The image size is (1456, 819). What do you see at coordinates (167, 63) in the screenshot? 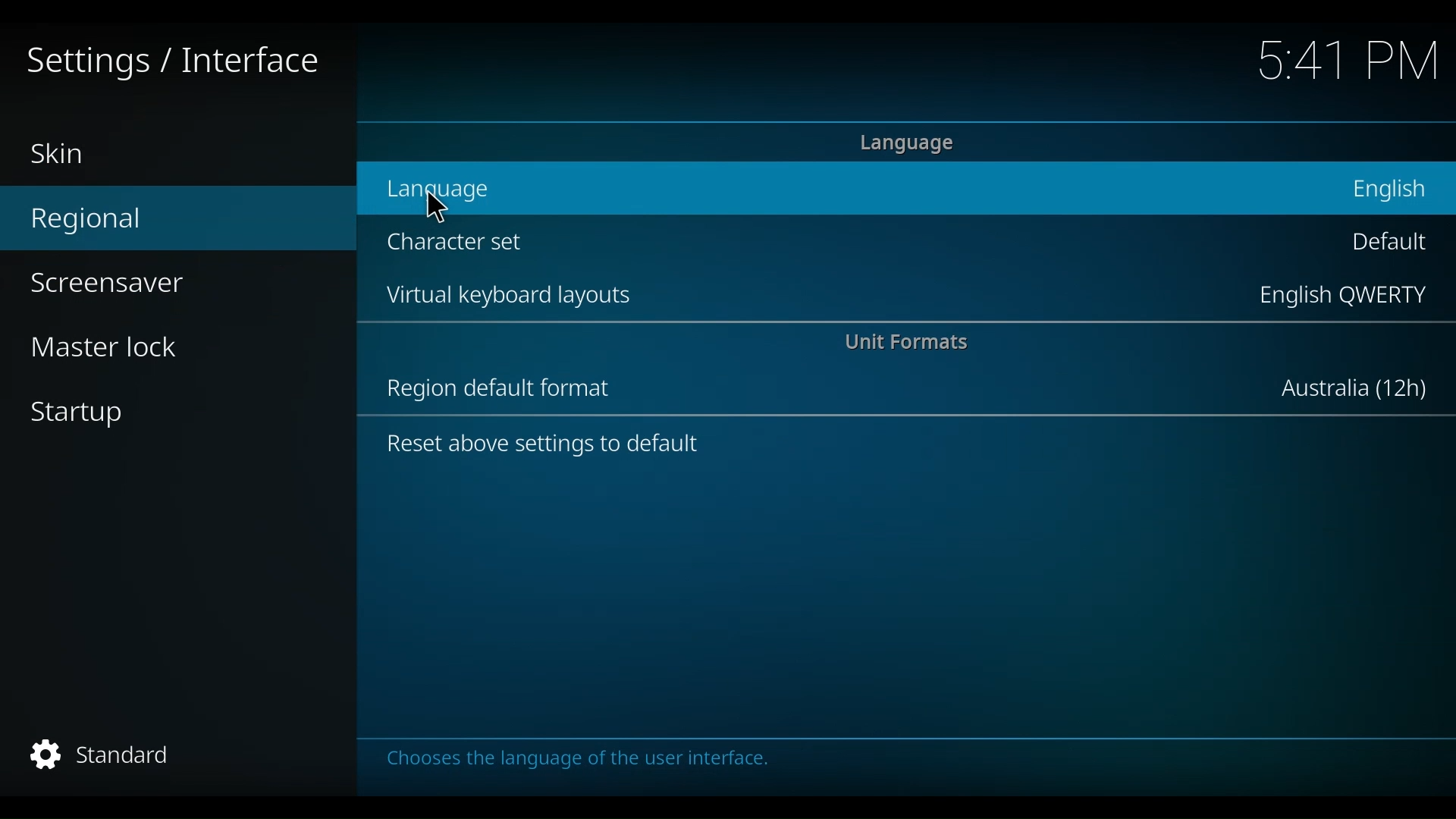
I see `Settings / Interface` at bounding box center [167, 63].